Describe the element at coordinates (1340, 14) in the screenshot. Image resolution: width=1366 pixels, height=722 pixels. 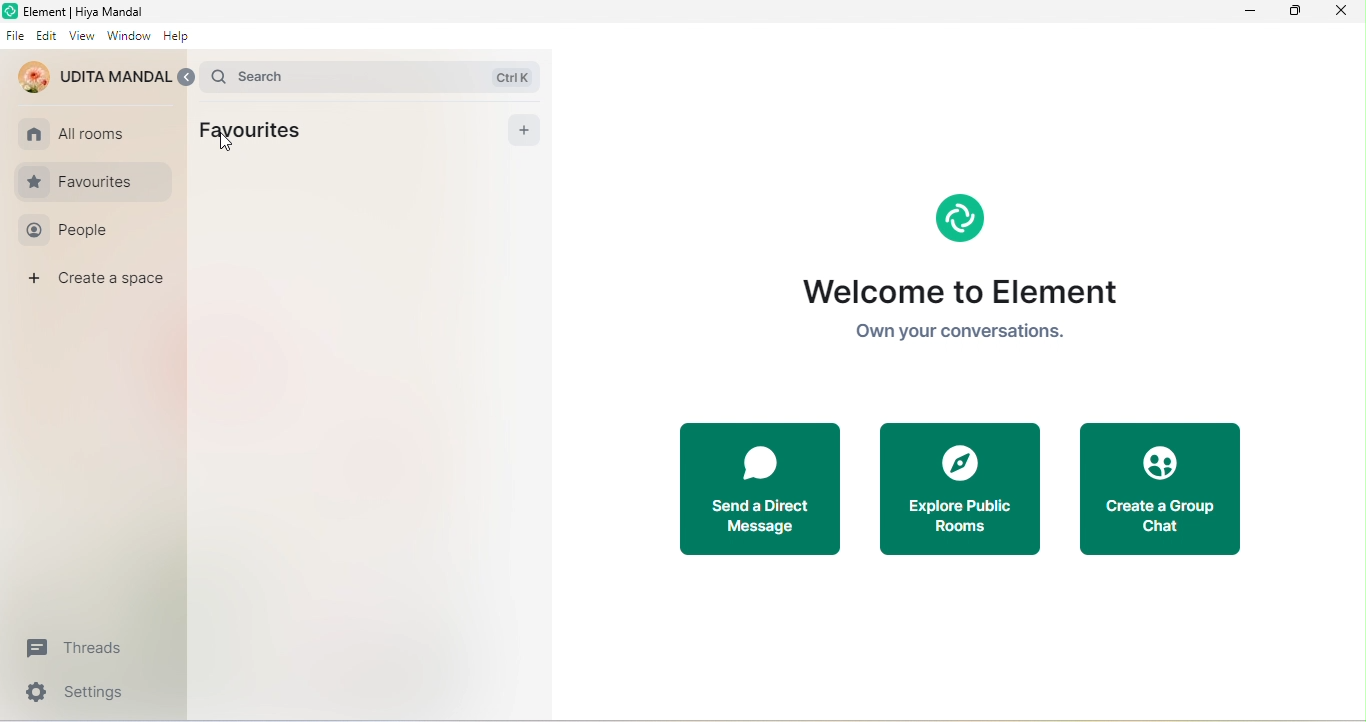
I see `close` at that location.